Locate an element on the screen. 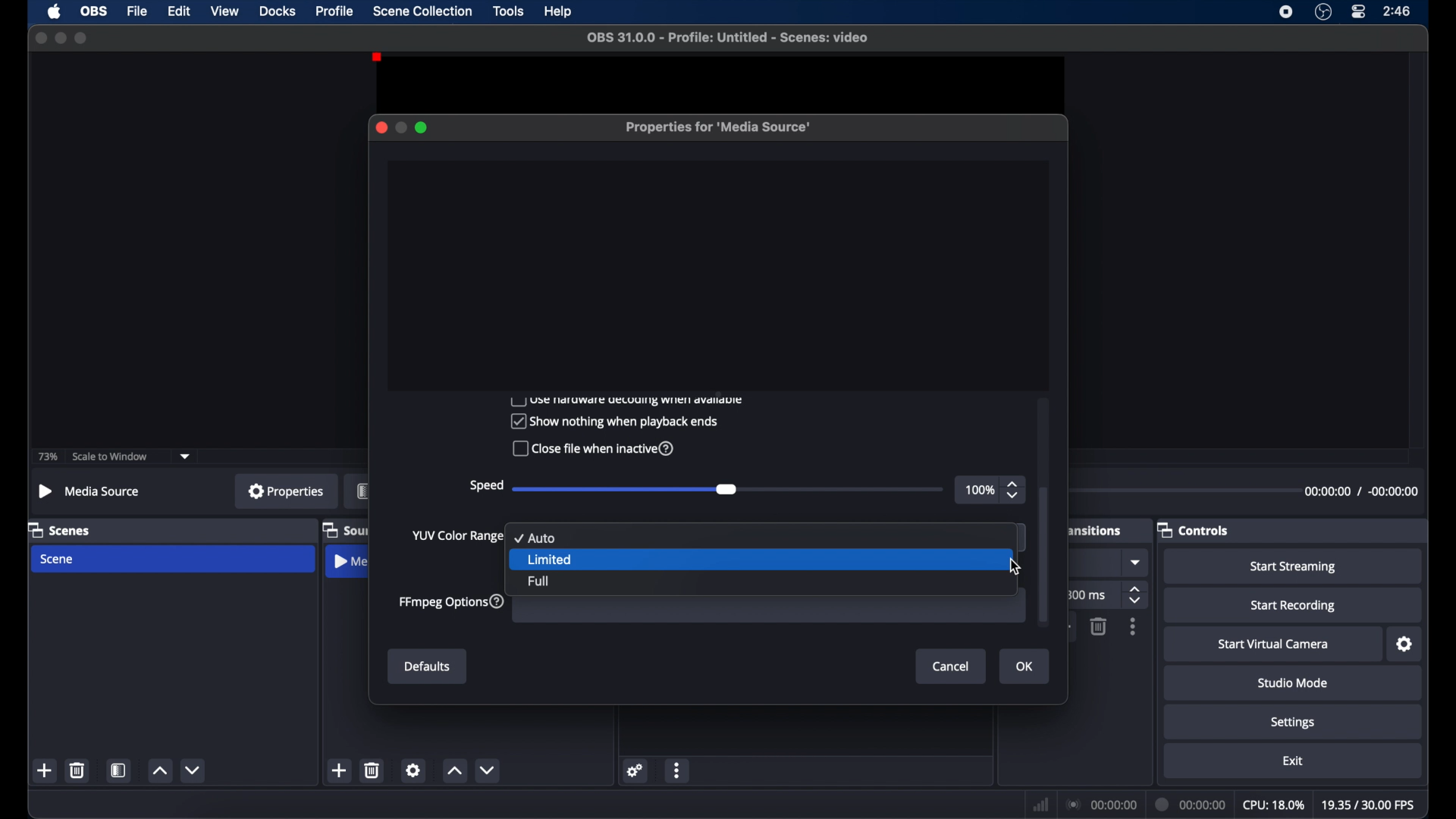 This screenshot has height=819, width=1456. delete is located at coordinates (78, 770).